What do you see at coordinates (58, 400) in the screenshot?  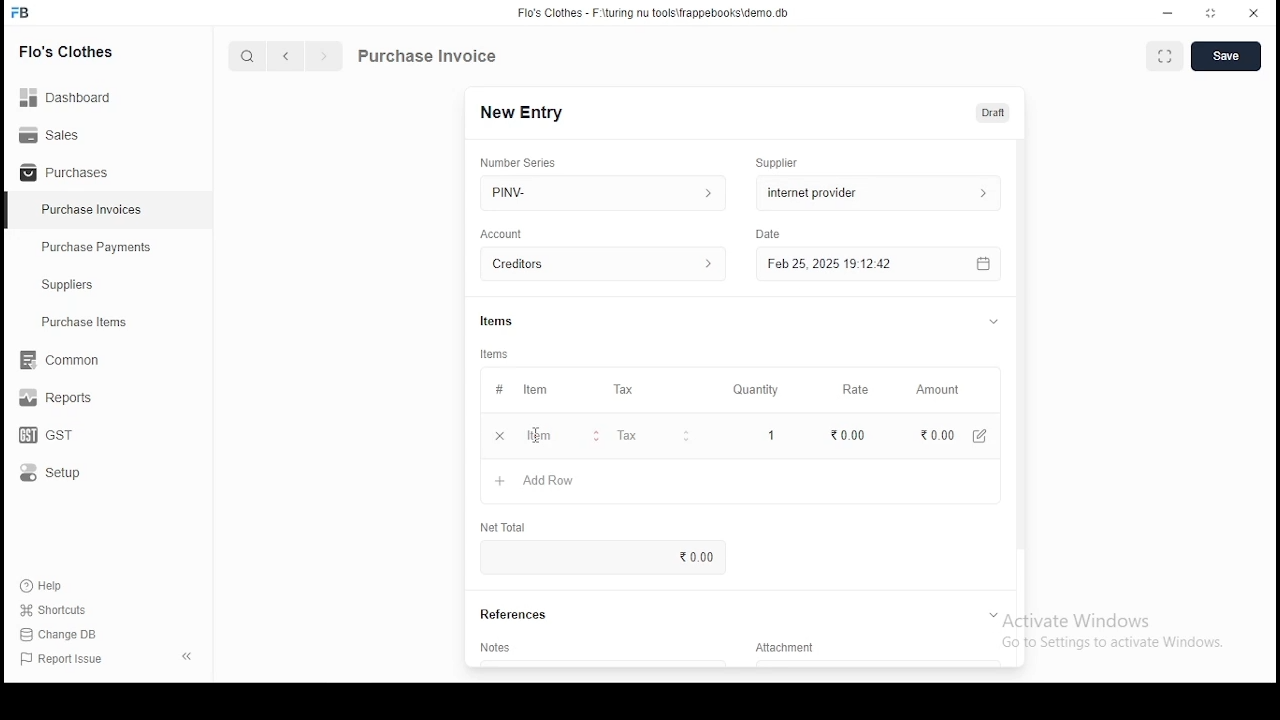 I see `reports` at bounding box center [58, 400].